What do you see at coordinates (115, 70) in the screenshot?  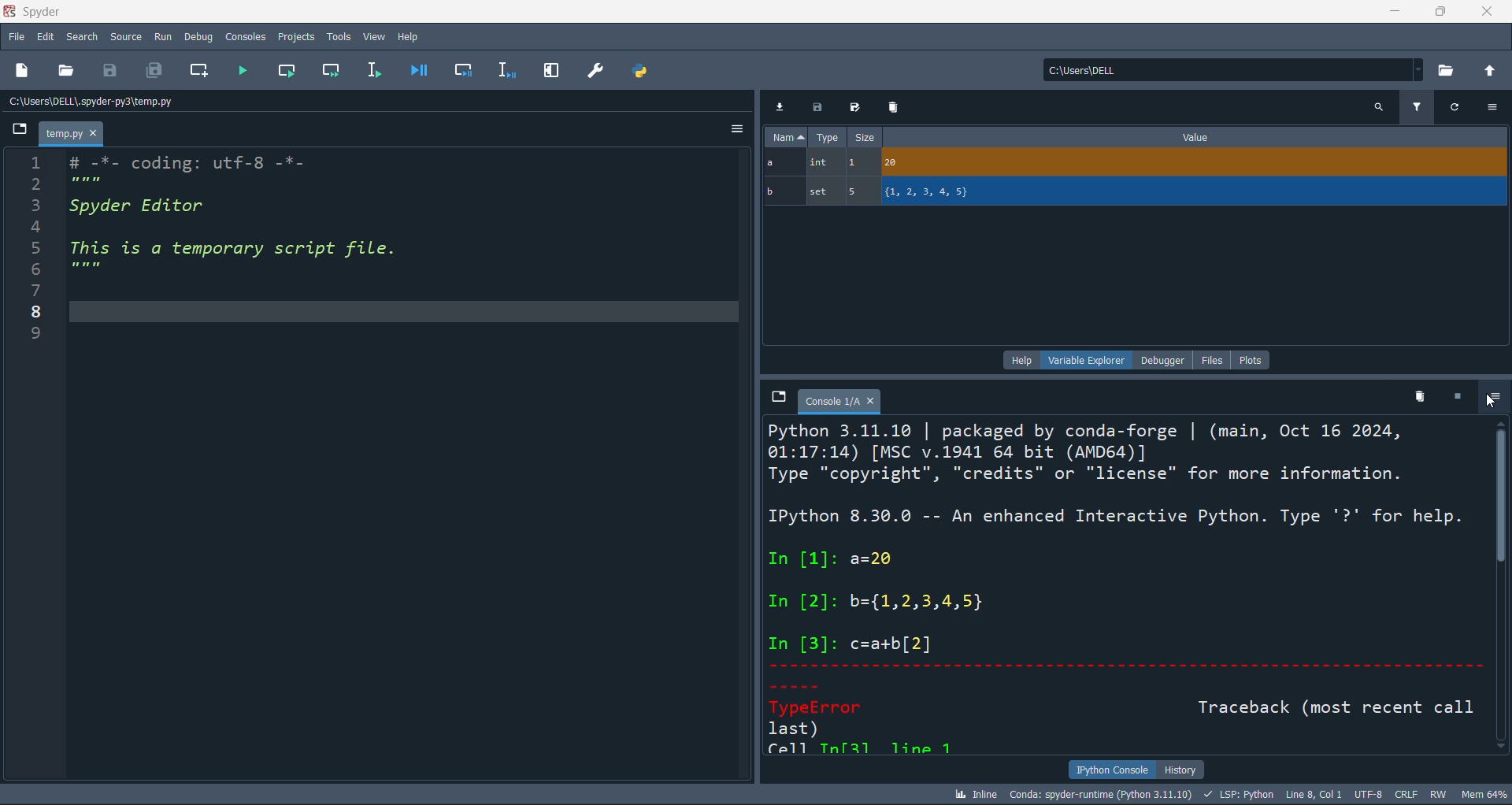 I see `save` at bounding box center [115, 70].